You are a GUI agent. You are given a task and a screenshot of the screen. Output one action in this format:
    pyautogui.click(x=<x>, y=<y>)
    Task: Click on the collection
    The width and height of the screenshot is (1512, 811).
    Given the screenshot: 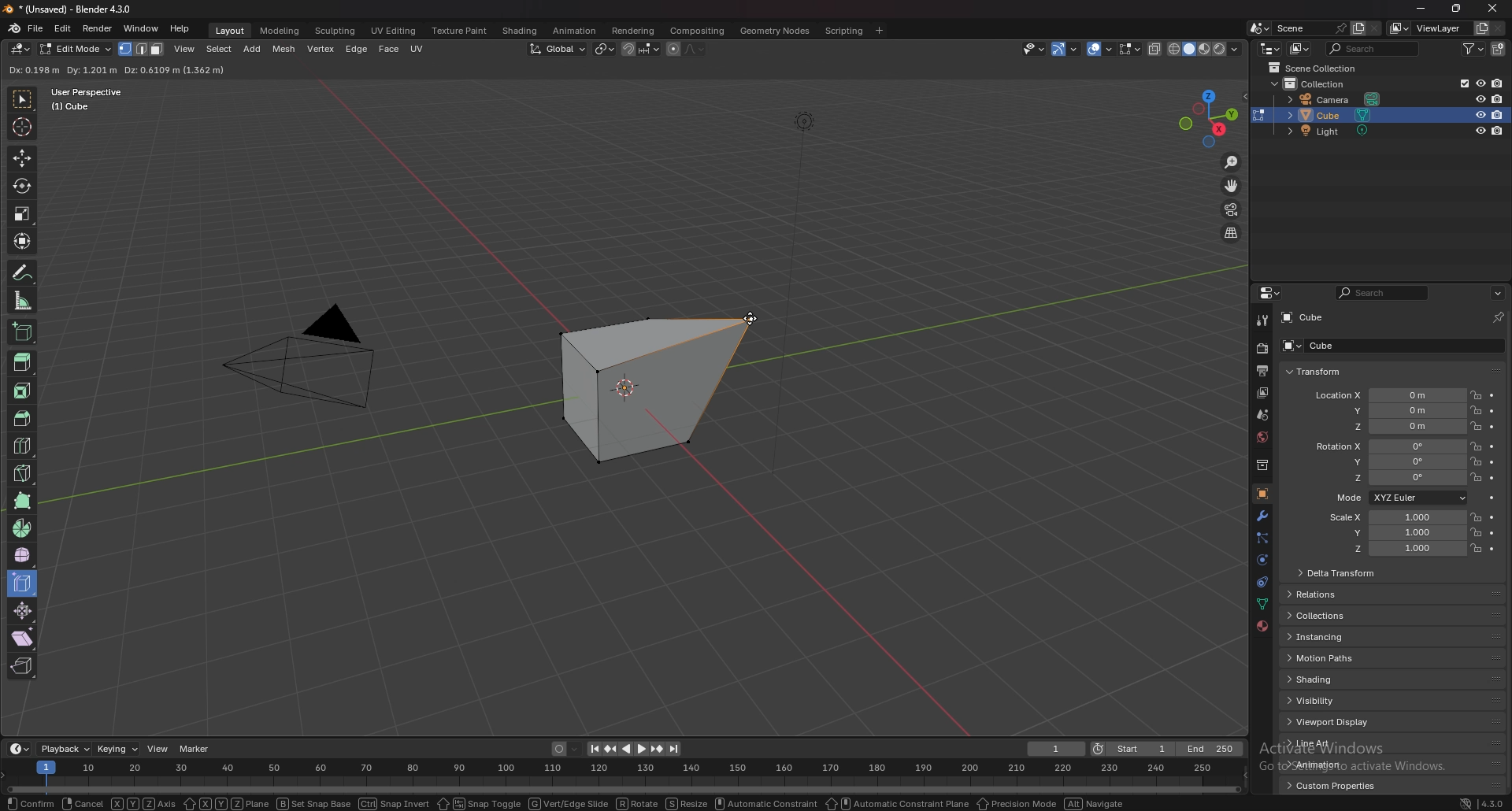 What is the action you would take?
    pyautogui.click(x=1262, y=464)
    